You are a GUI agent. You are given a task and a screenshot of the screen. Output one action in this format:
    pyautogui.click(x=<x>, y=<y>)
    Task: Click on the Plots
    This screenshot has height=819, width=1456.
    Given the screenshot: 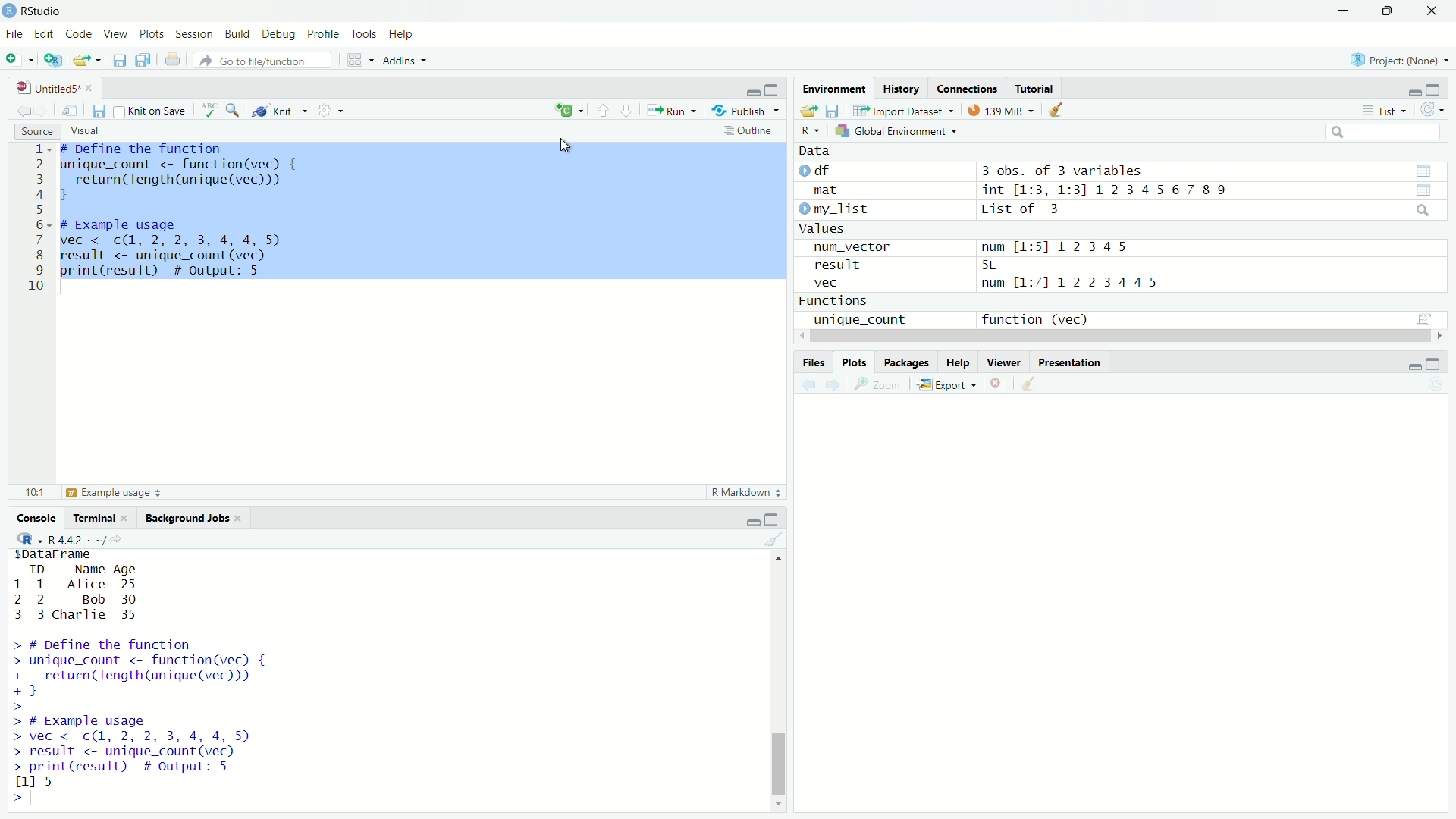 What is the action you would take?
    pyautogui.click(x=856, y=362)
    